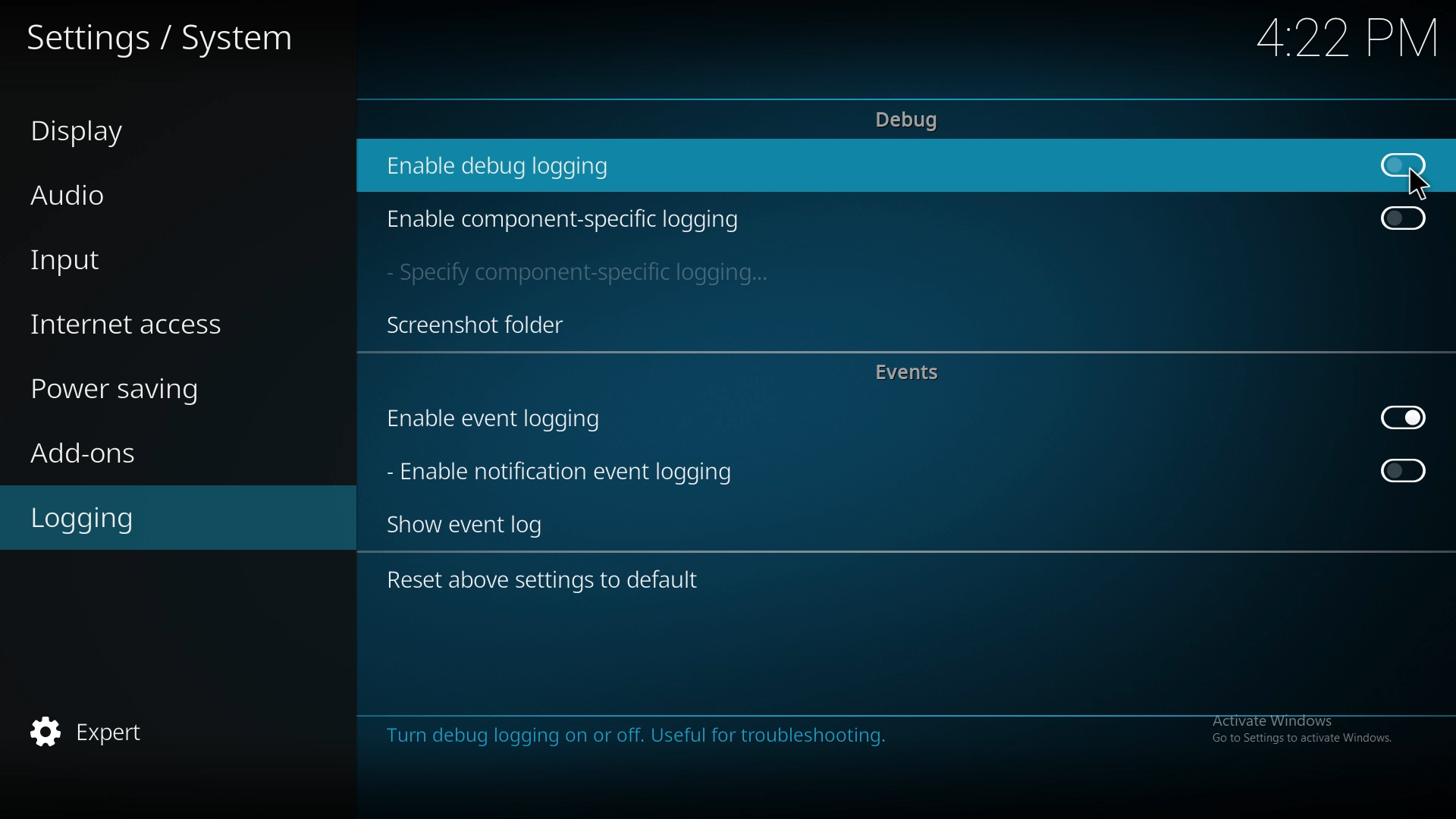 This screenshot has width=1456, height=819. Describe the element at coordinates (152, 129) in the screenshot. I see `display` at that location.